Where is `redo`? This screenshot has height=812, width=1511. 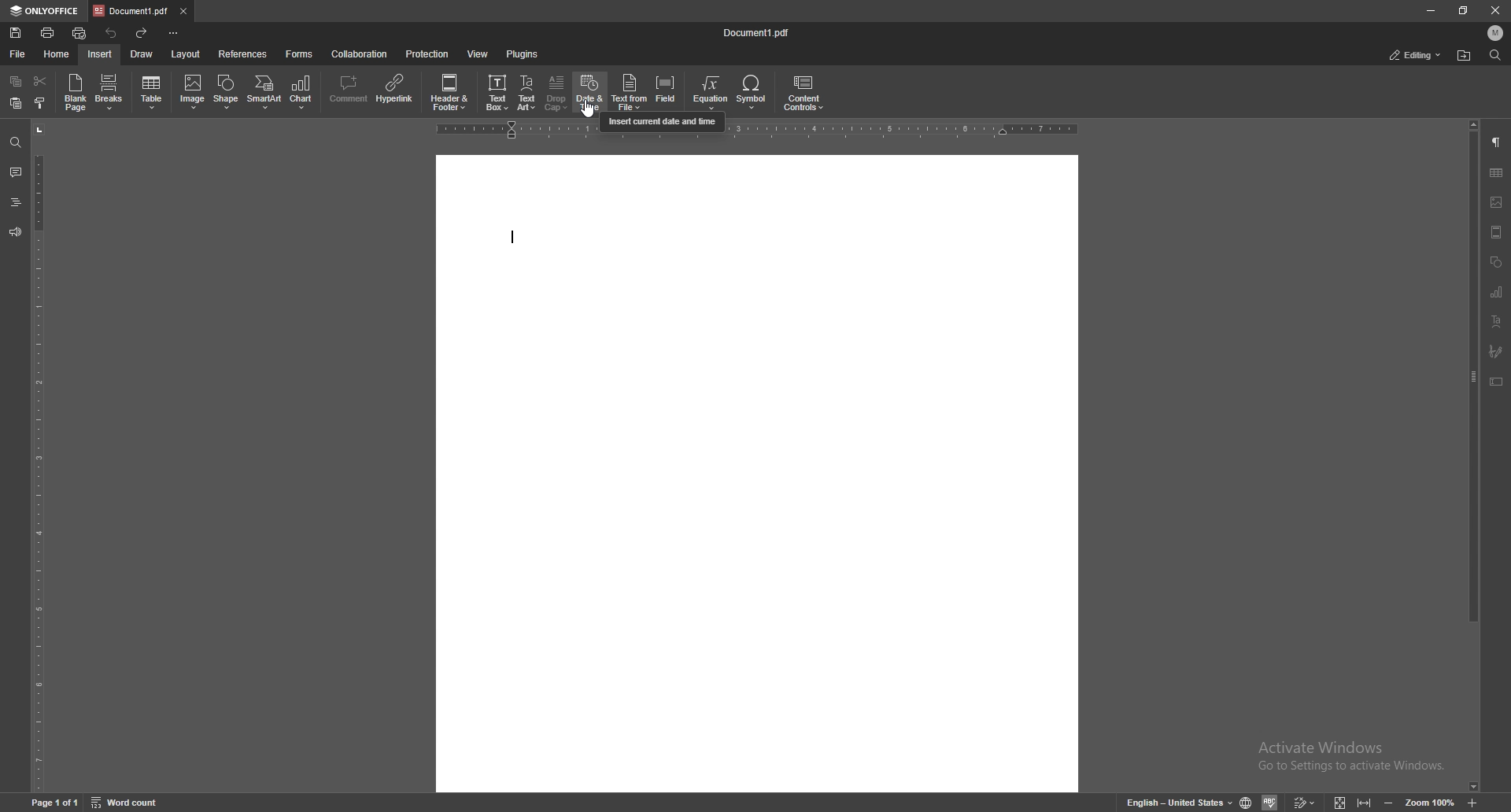
redo is located at coordinates (142, 33).